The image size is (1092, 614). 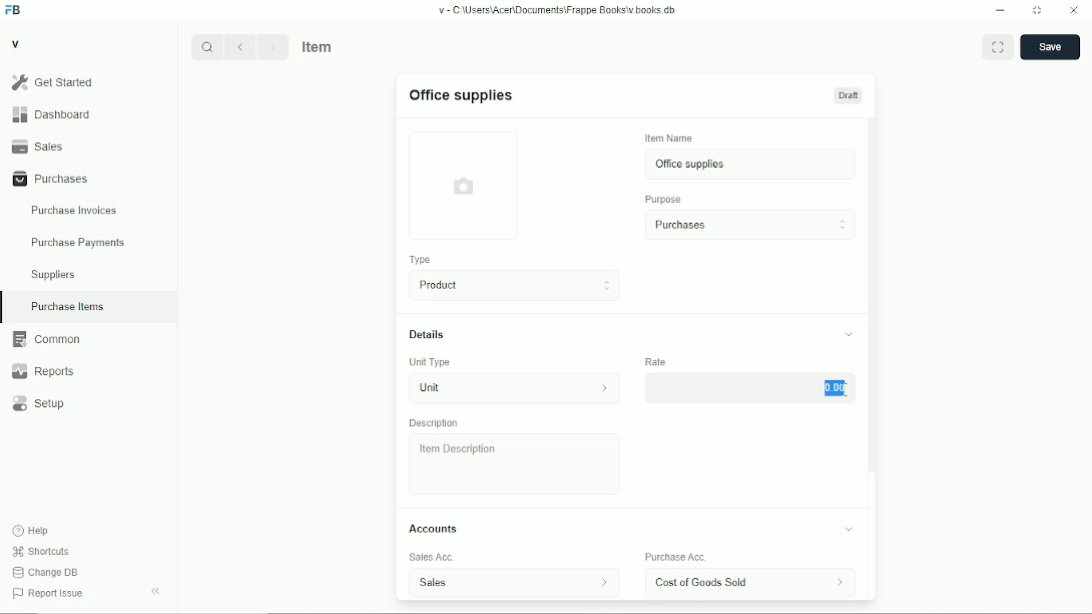 What do you see at coordinates (465, 185) in the screenshot?
I see `photo upload field` at bounding box center [465, 185].